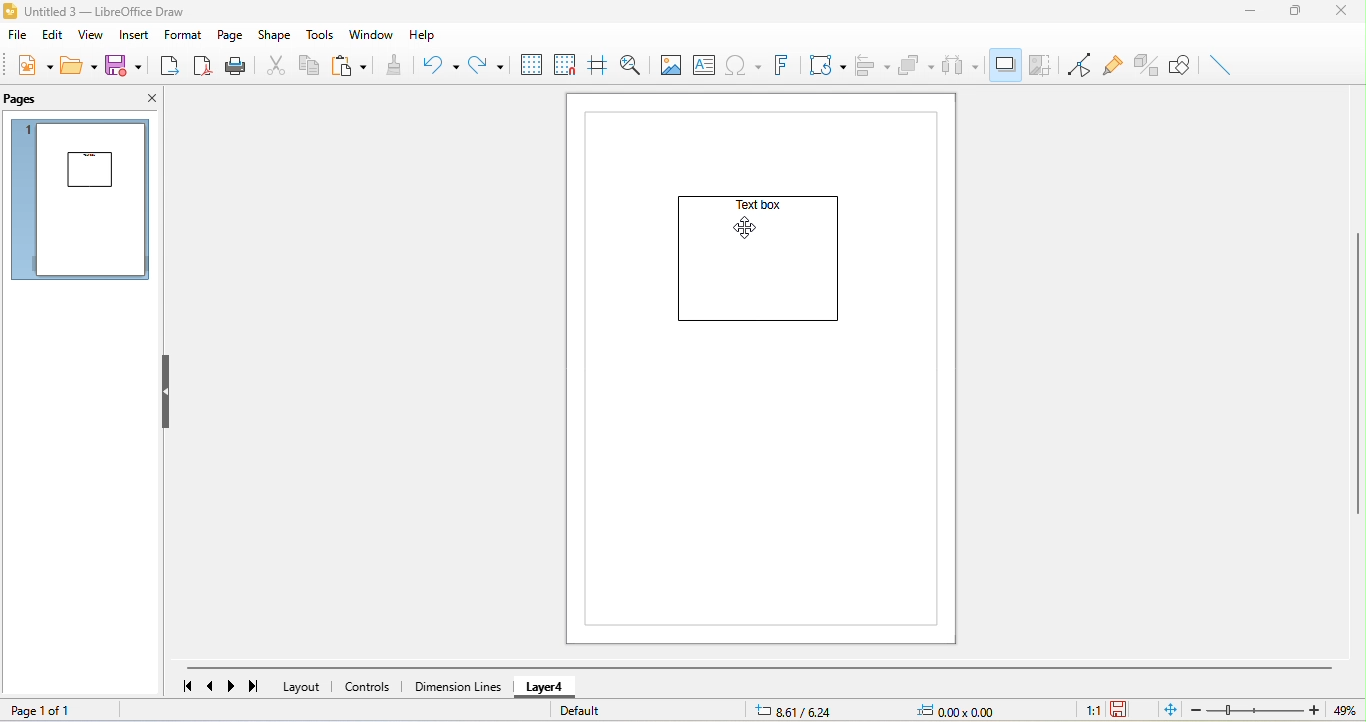 The height and width of the screenshot is (722, 1366). I want to click on snap to grids, so click(568, 64).